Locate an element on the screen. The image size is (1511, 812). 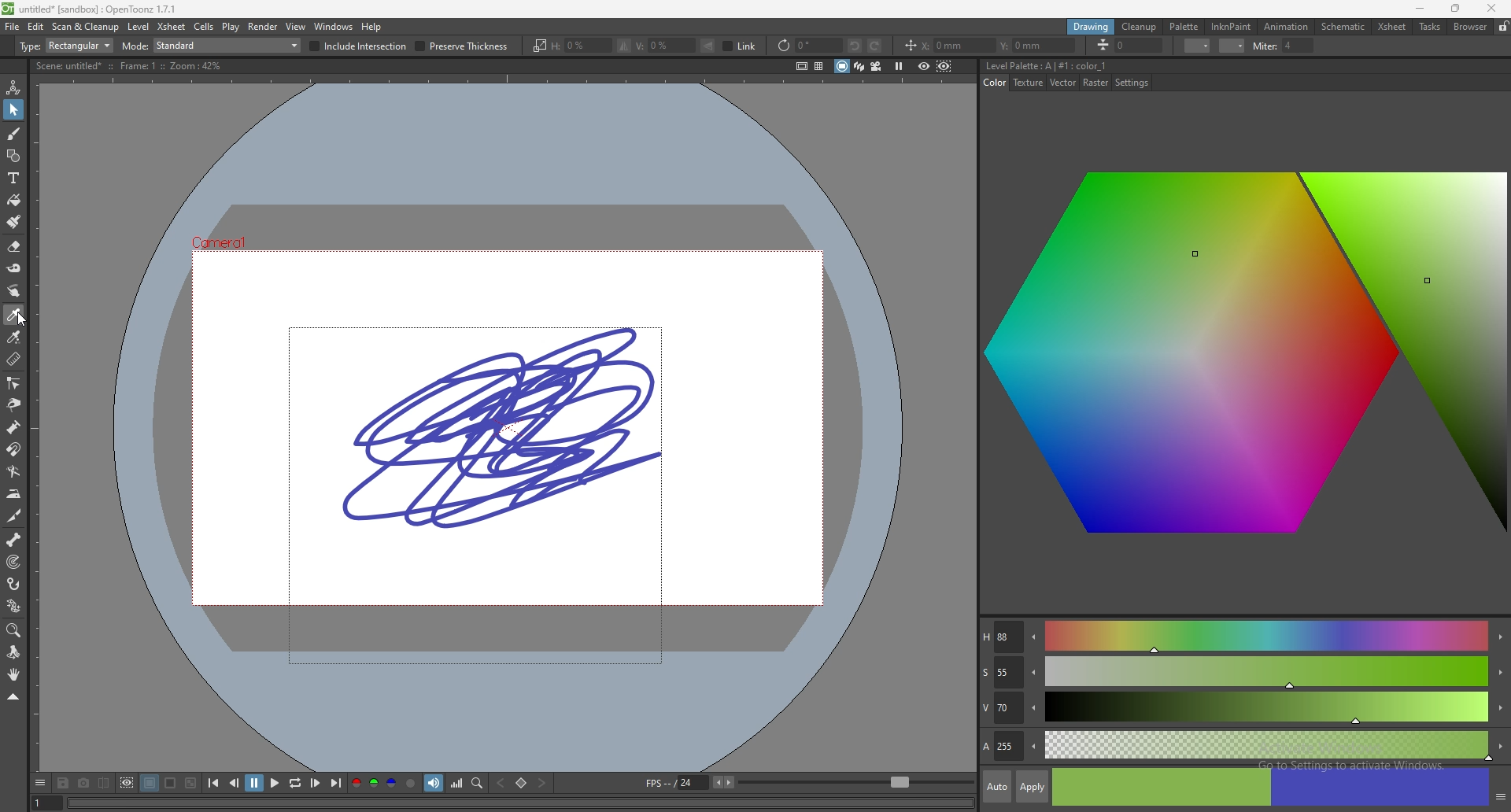
histogram is located at coordinates (456, 783).